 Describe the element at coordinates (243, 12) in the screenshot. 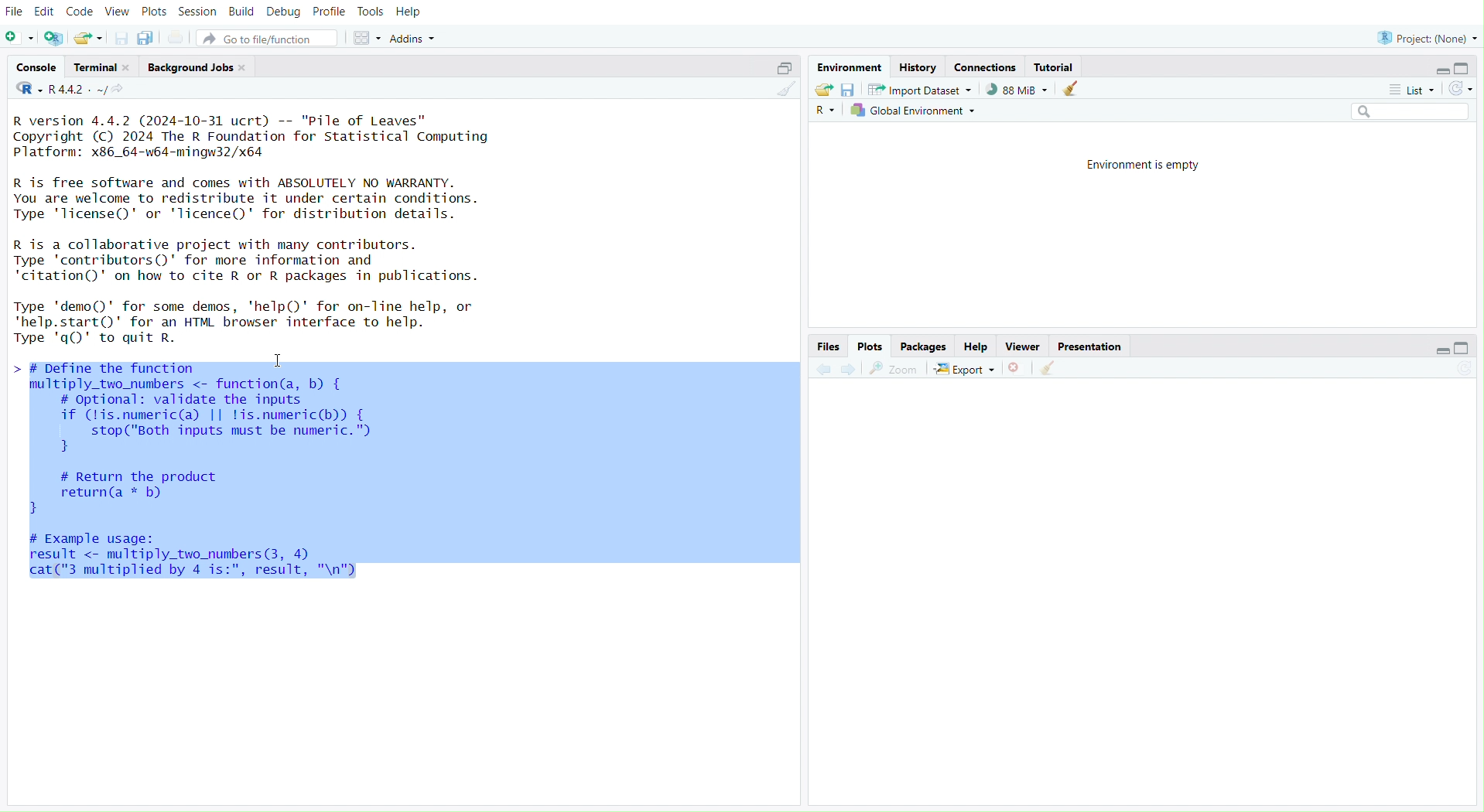

I see `Build` at that location.